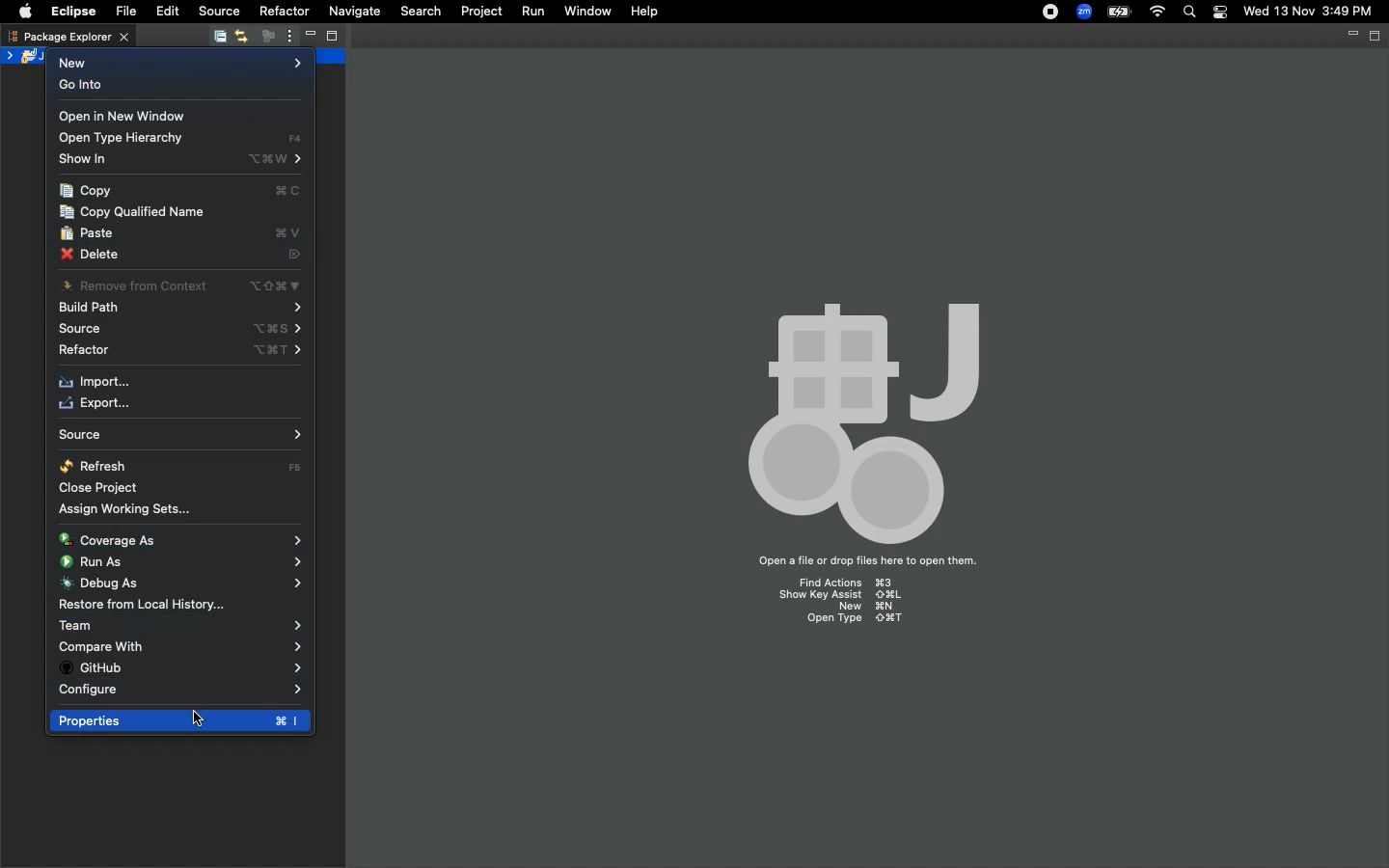  I want to click on Package explorer, so click(68, 36).